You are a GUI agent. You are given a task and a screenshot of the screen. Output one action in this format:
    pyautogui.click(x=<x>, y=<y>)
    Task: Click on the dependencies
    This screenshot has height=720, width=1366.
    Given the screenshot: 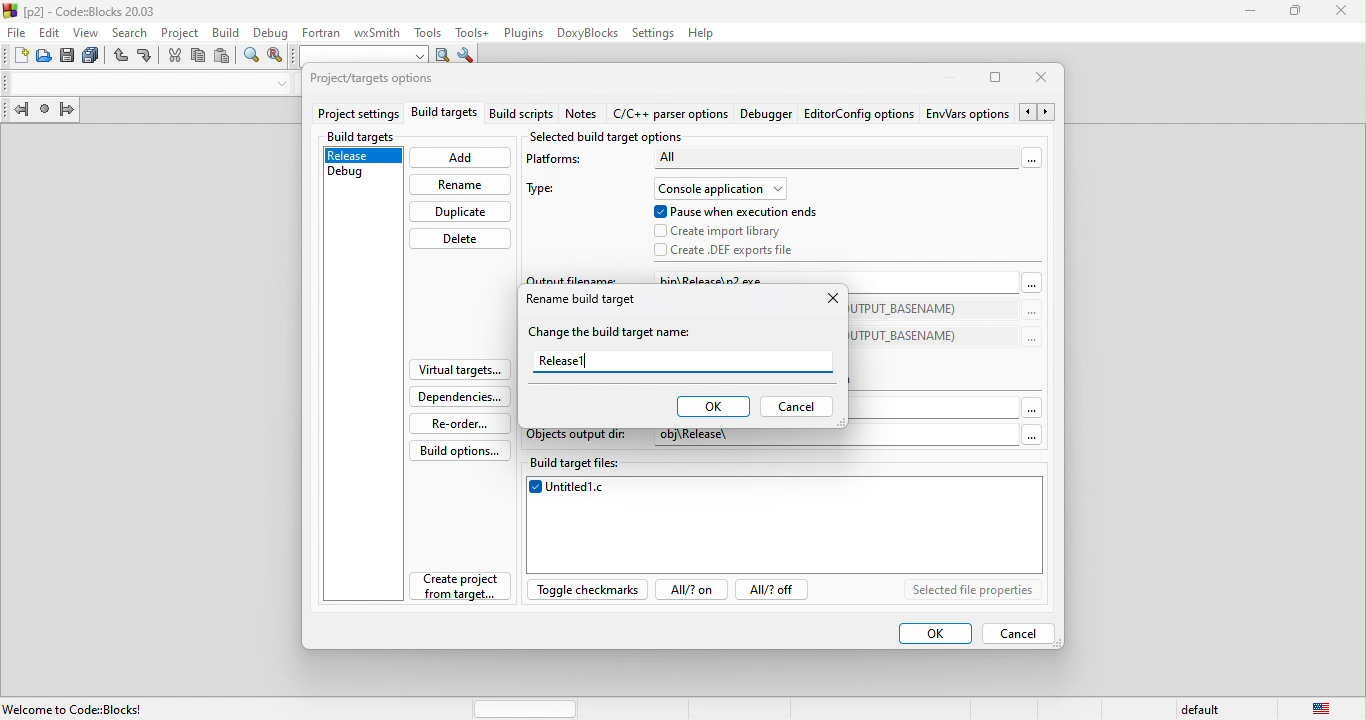 What is the action you would take?
    pyautogui.click(x=459, y=397)
    